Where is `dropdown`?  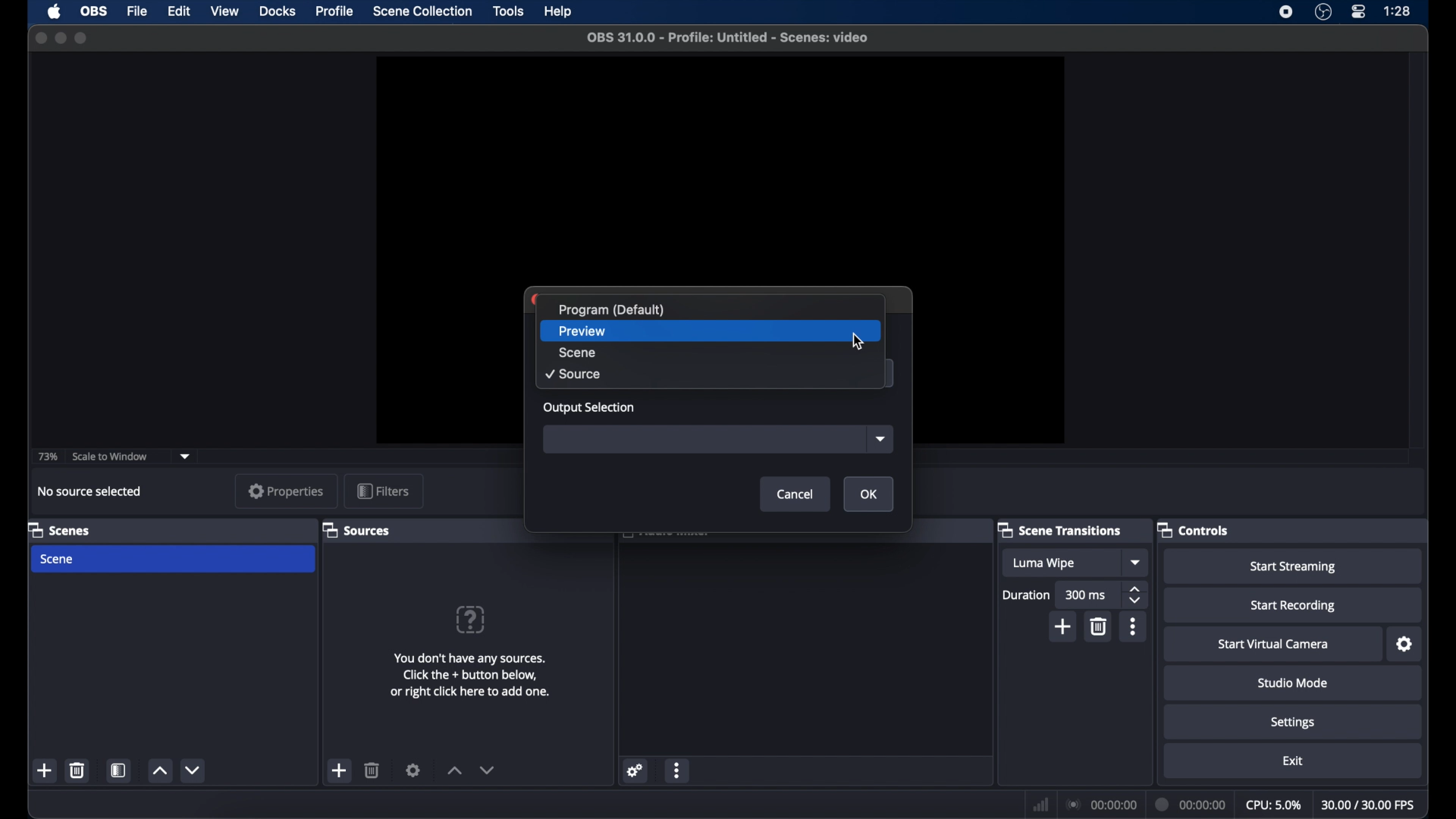
dropdown is located at coordinates (880, 440).